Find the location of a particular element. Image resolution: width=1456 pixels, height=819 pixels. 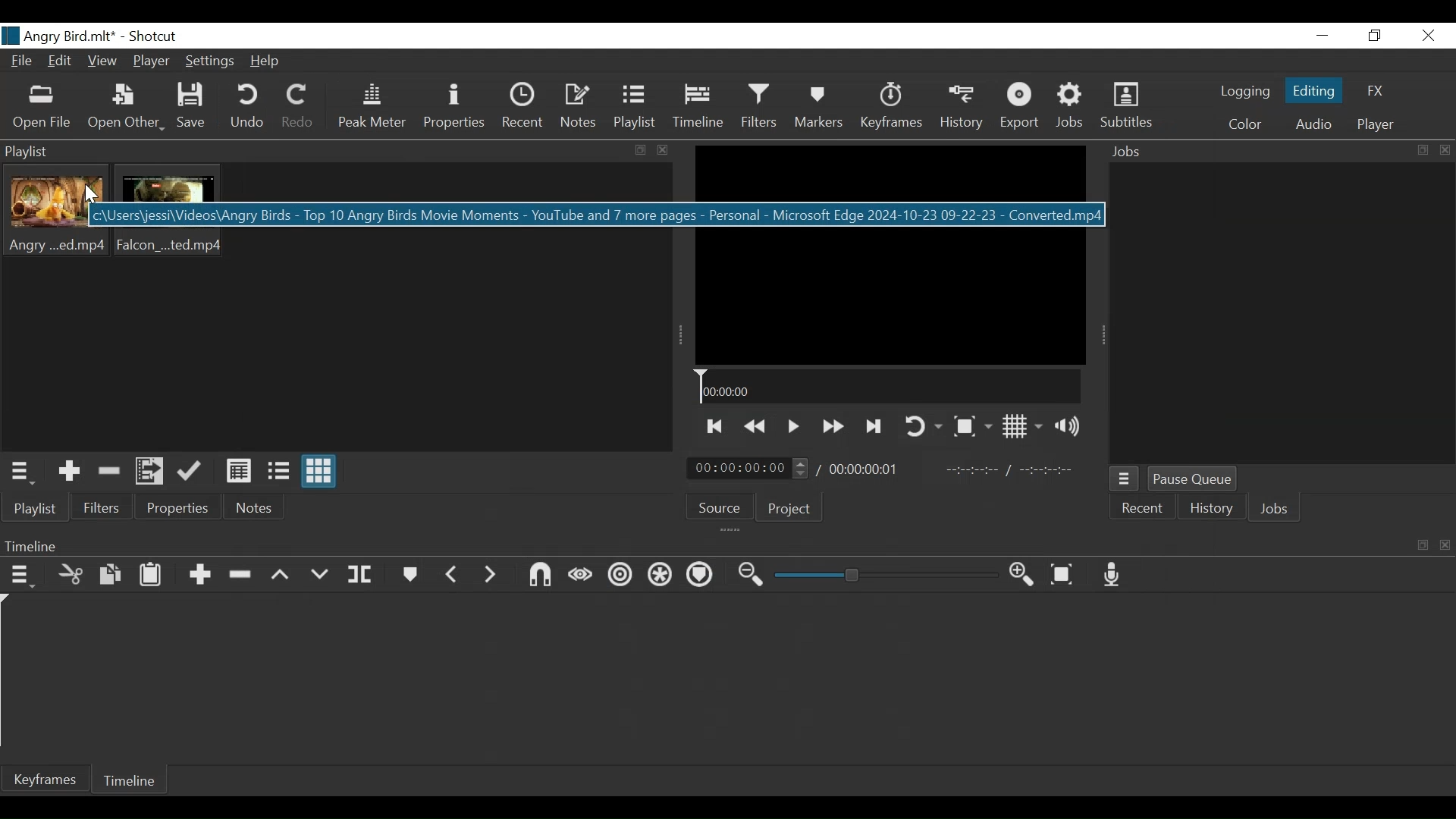

Ripple is located at coordinates (618, 576).